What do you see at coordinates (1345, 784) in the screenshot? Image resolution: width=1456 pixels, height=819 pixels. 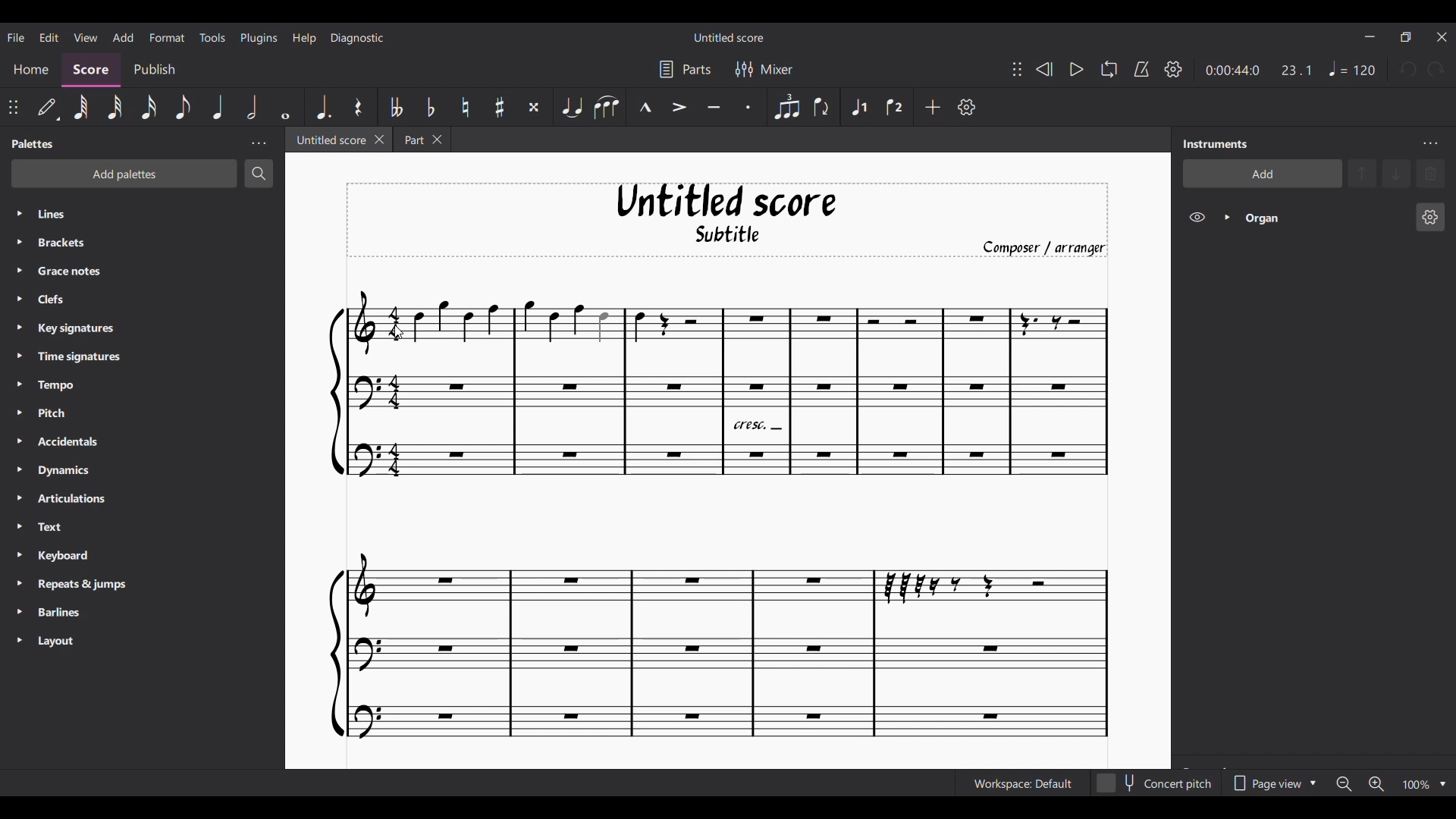 I see `Zoom out` at bounding box center [1345, 784].